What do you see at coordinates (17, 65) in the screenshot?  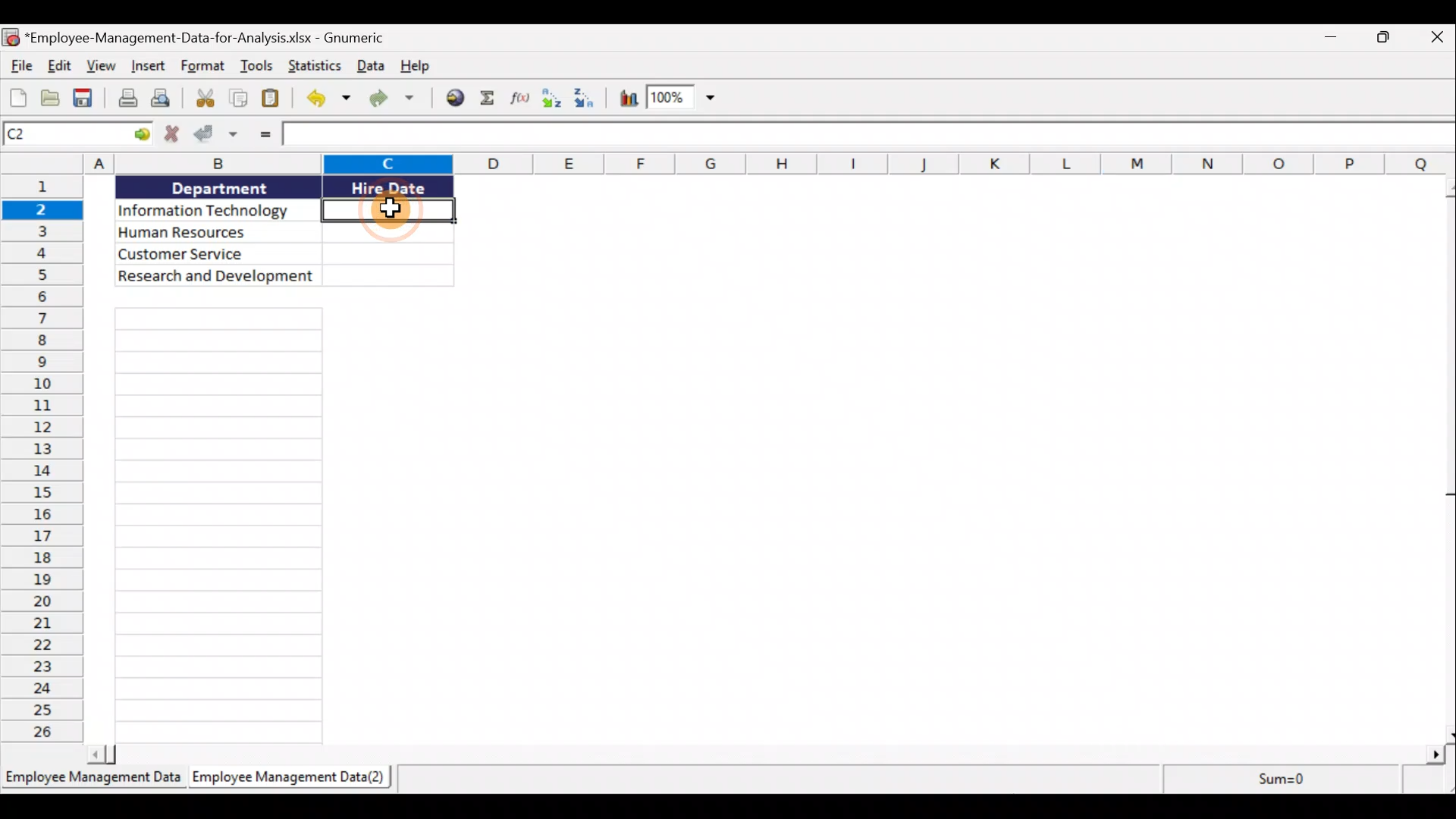 I see `File` at bounding box center [17, 65].